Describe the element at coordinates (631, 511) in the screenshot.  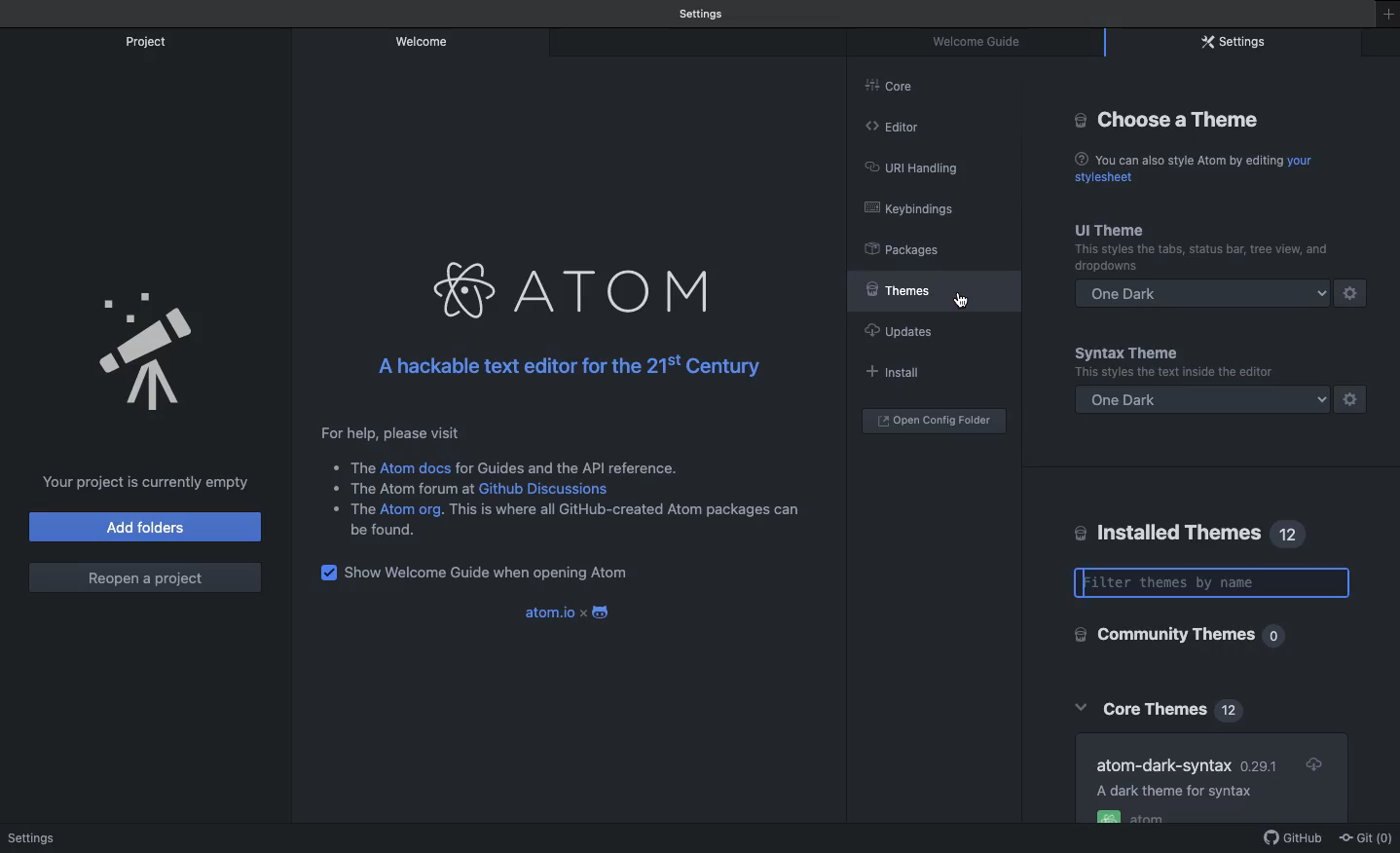
I see `is is where all GitHub-created Atom packages can` at that location.